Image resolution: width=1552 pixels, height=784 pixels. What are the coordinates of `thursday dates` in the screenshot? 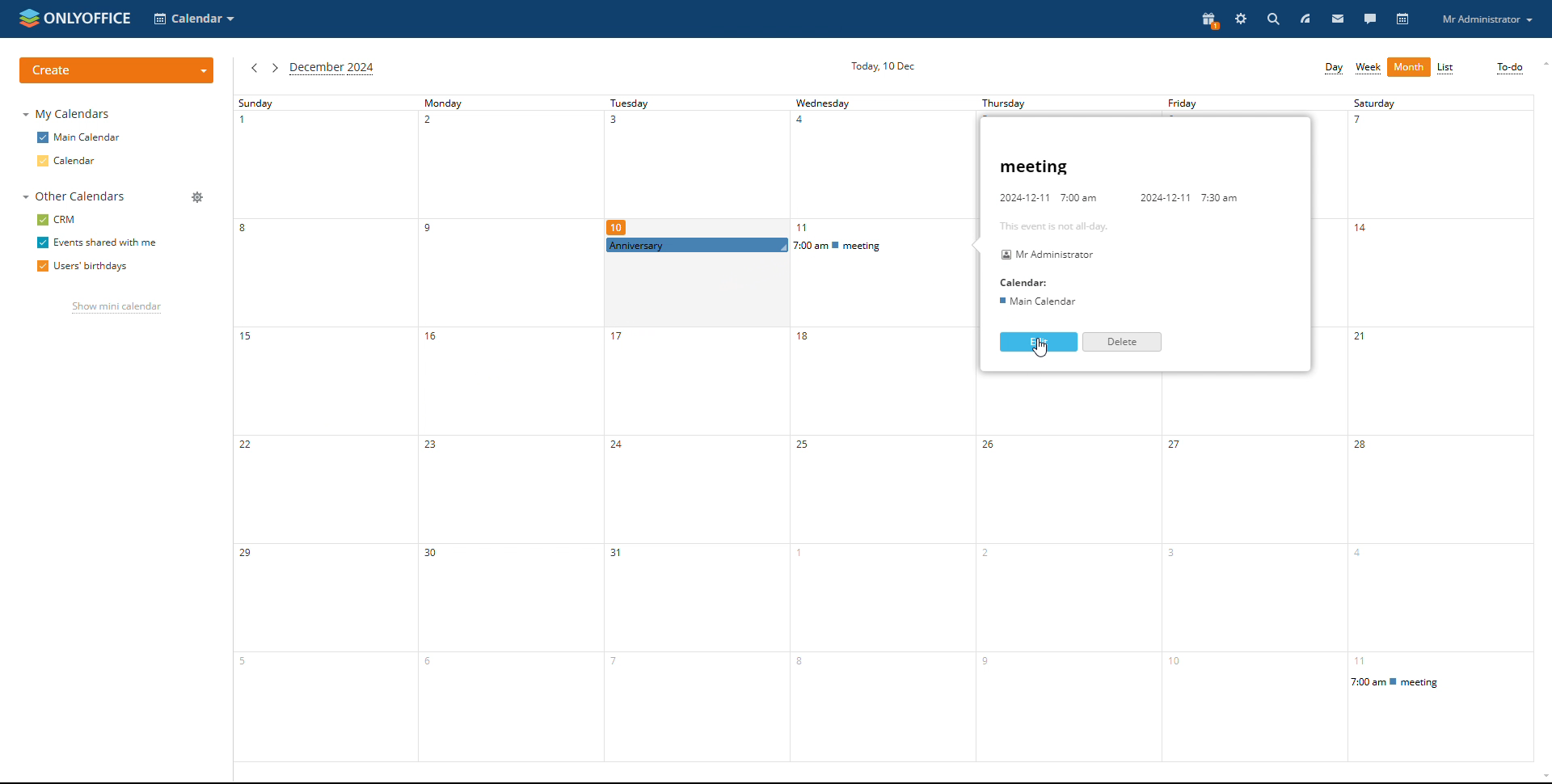 It's located at (1064, 596).